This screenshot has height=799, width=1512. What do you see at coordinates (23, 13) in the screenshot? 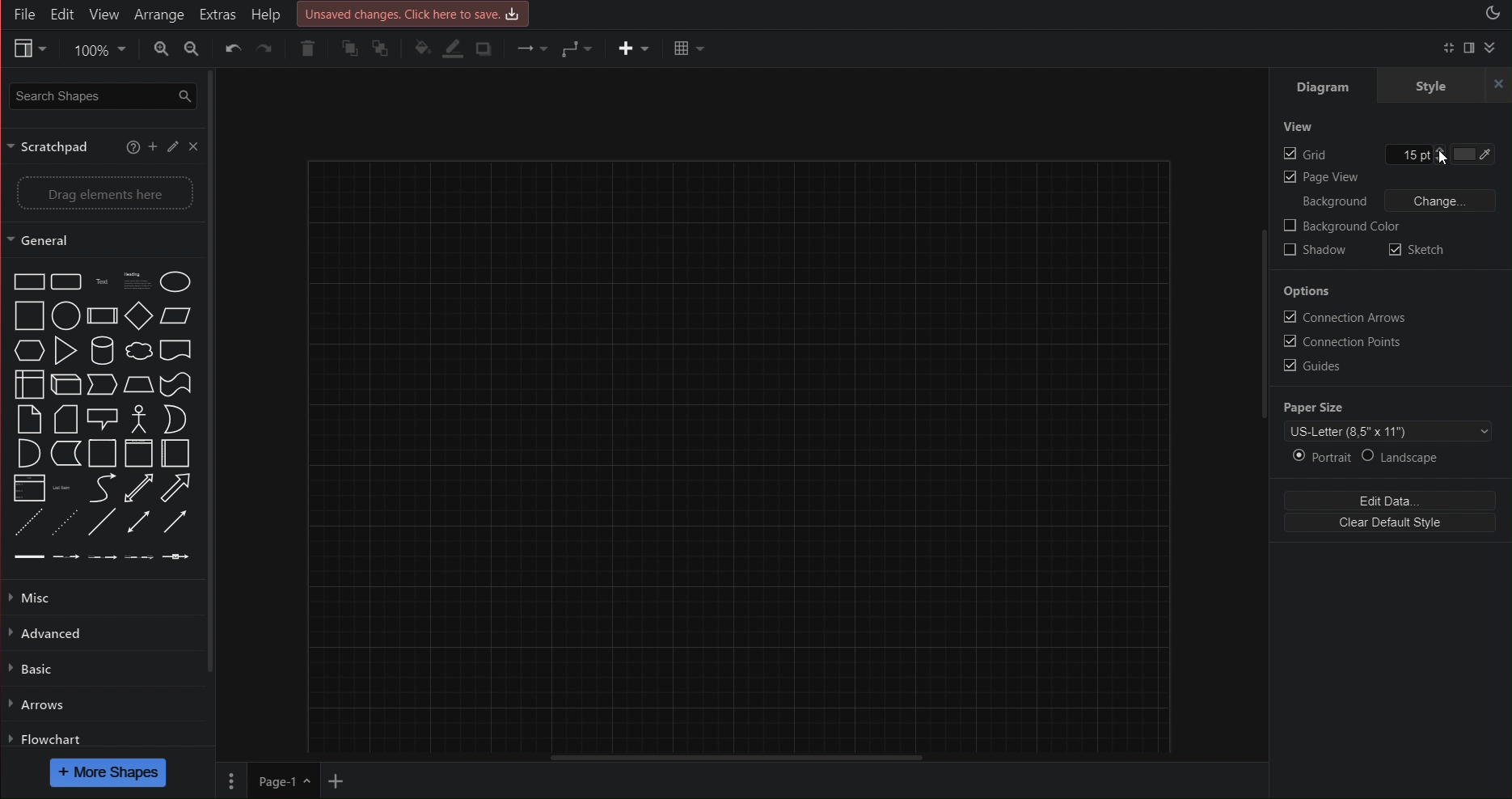
I see `File ` at bounding box center [23, 13].